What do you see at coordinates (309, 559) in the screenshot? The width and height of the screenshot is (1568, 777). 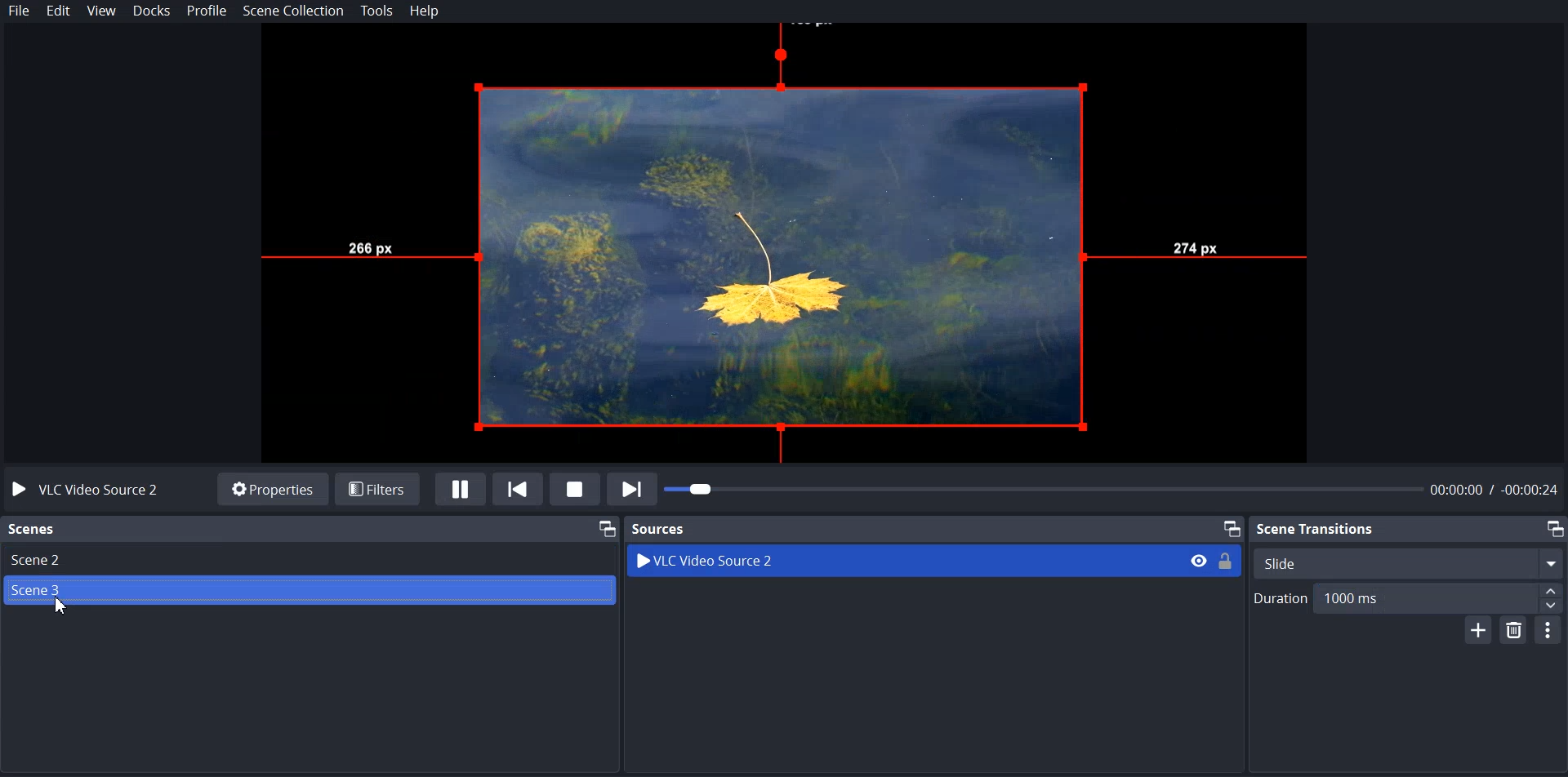 I see `Scene` at bounding box center [309, 559].